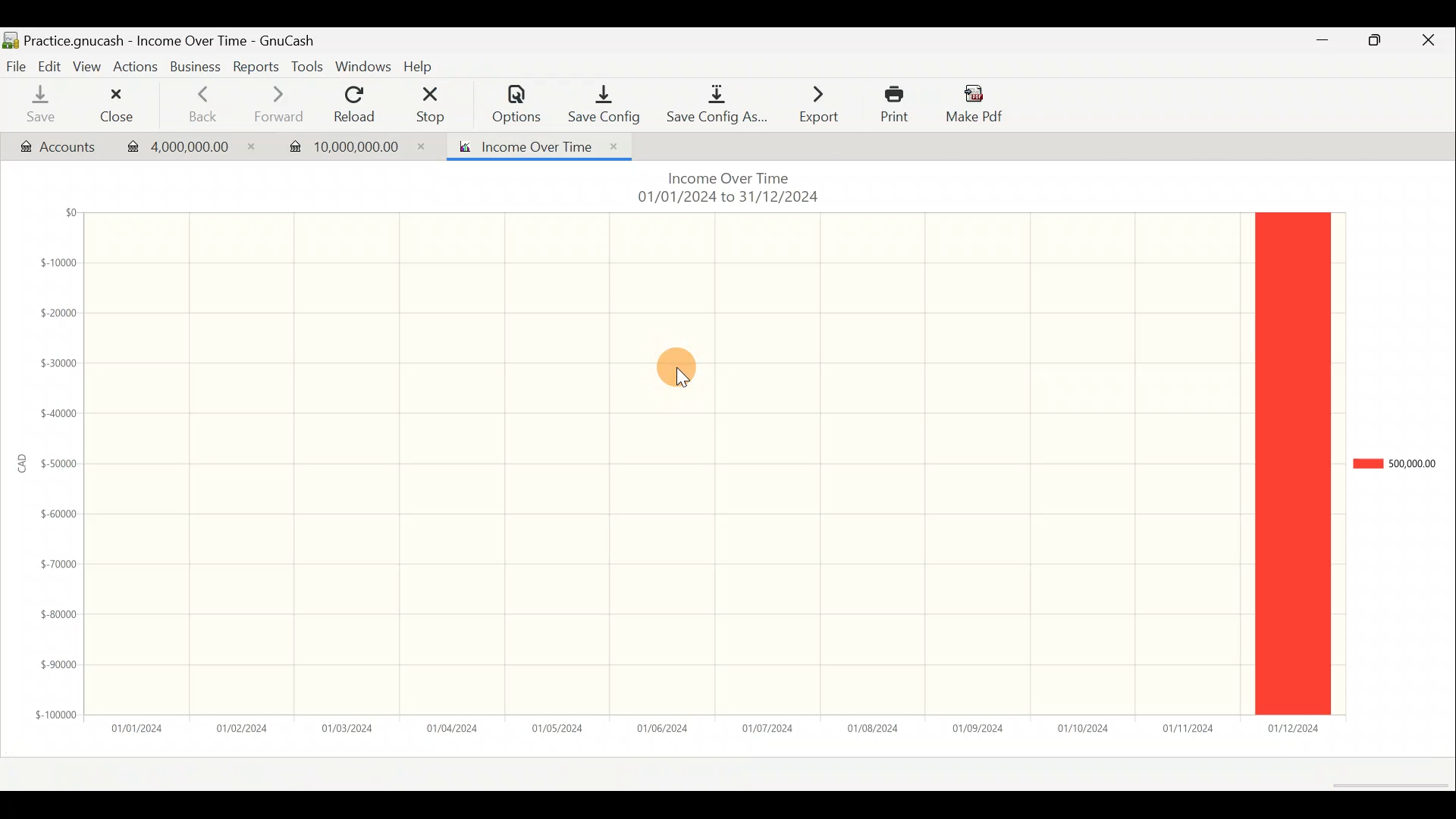 This screenshot has height=819, width=1456. Describe the element at coordinates (894, 102) in the screenshot. I see `Print` at that location.